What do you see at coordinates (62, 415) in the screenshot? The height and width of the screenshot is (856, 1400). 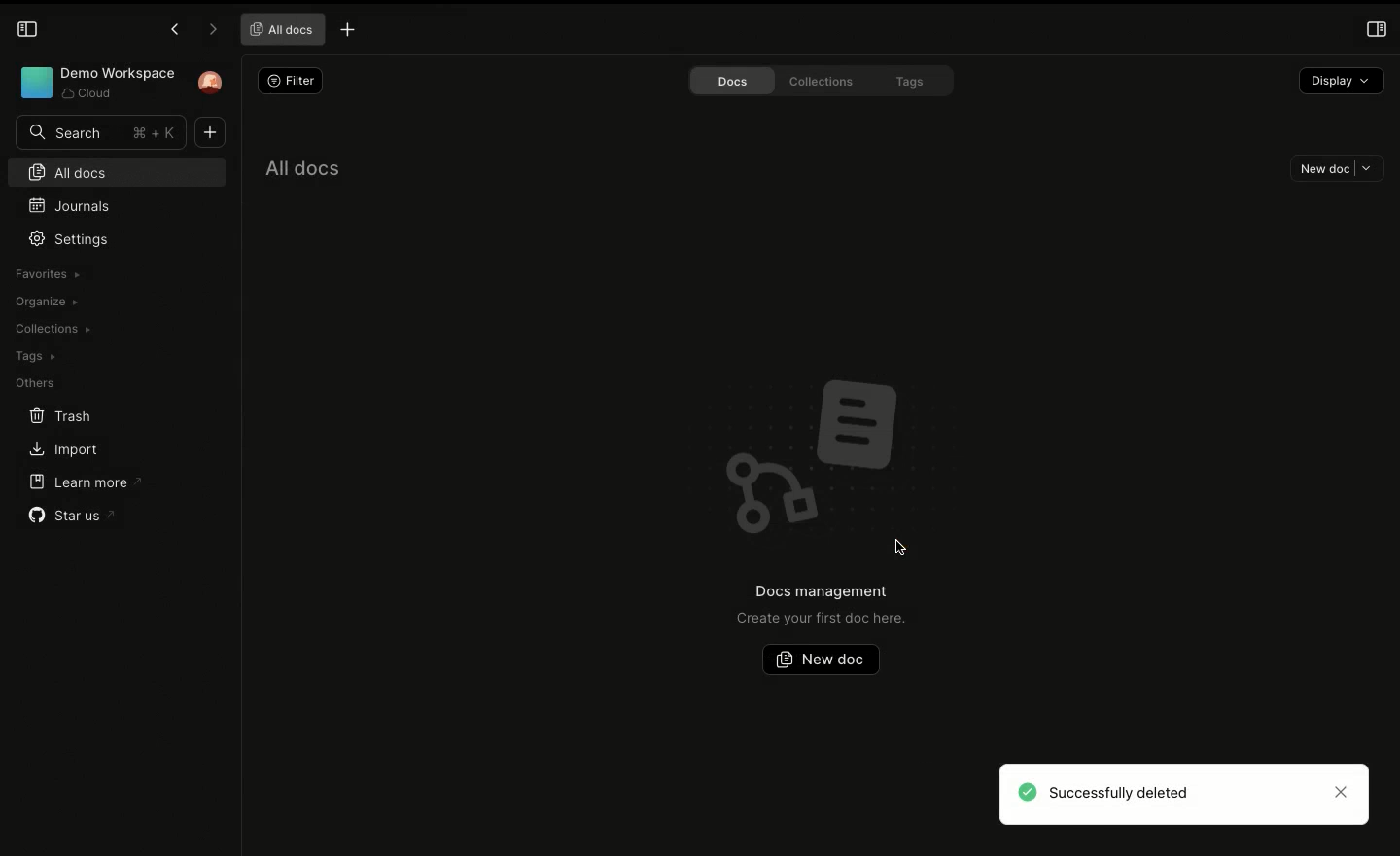 I see `Trash` at bounding box center [62, 415].